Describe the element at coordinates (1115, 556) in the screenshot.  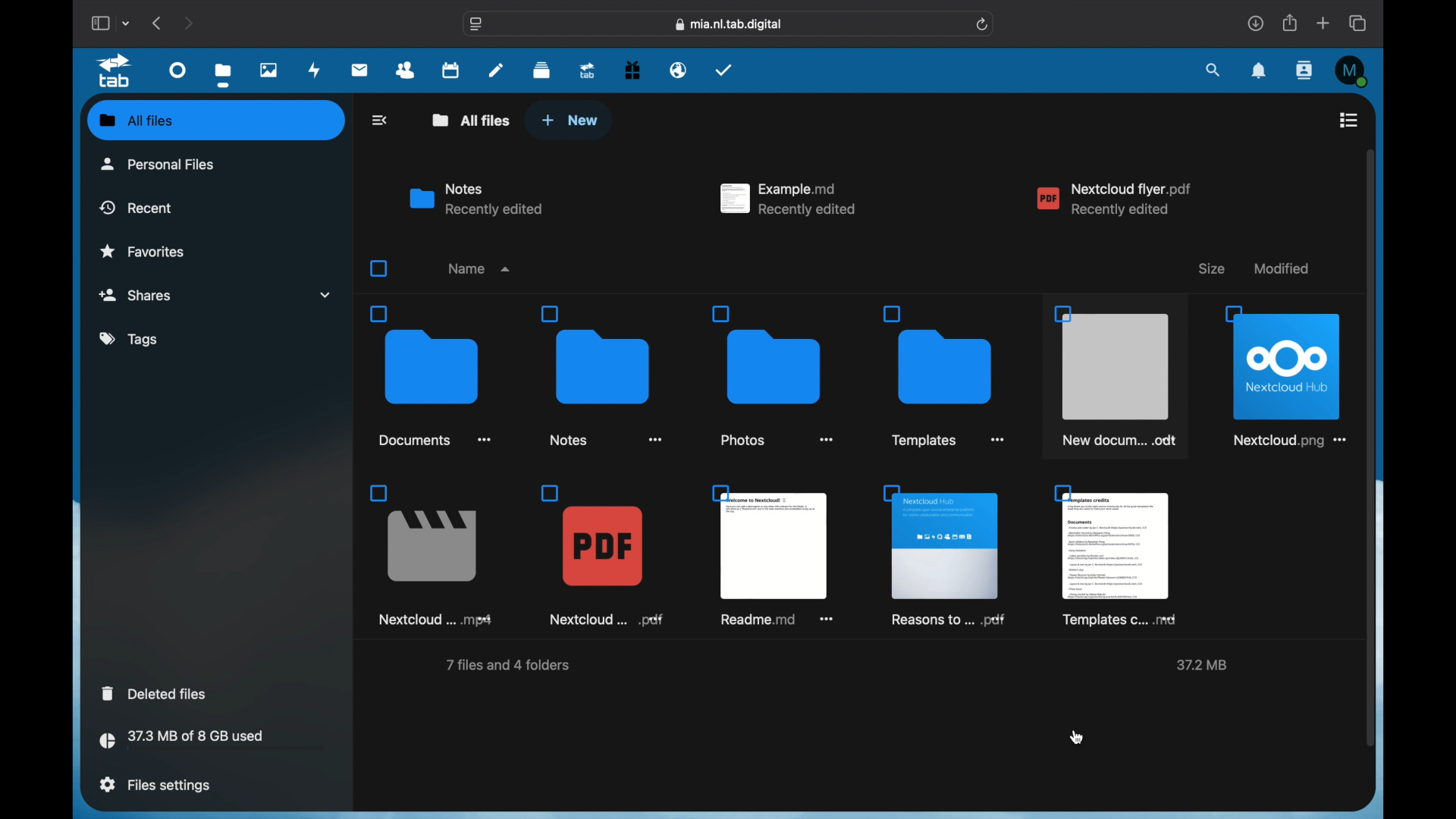
I see `templates` at that location.